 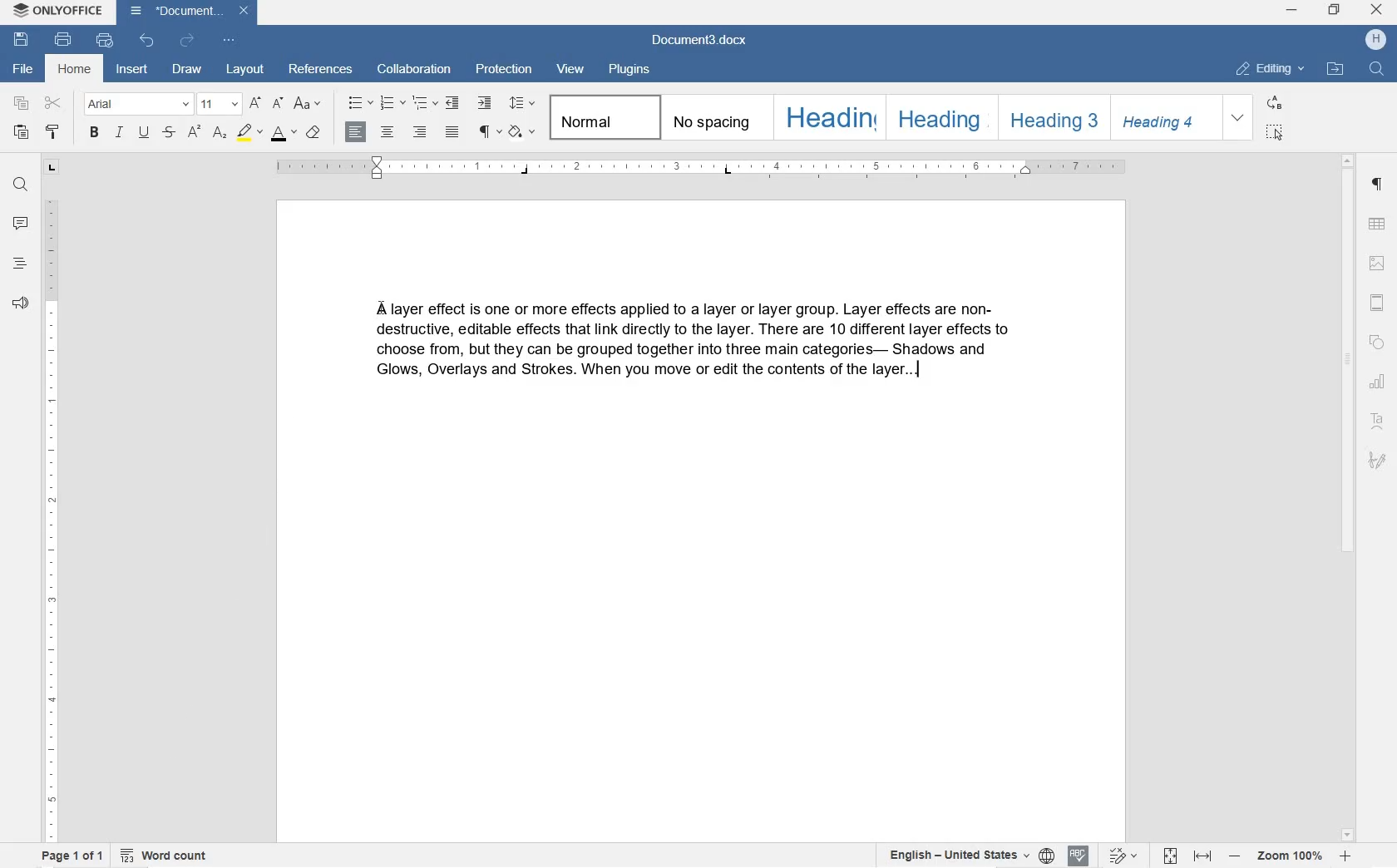 I want to click on BOLD, so click(x=93, y=134).